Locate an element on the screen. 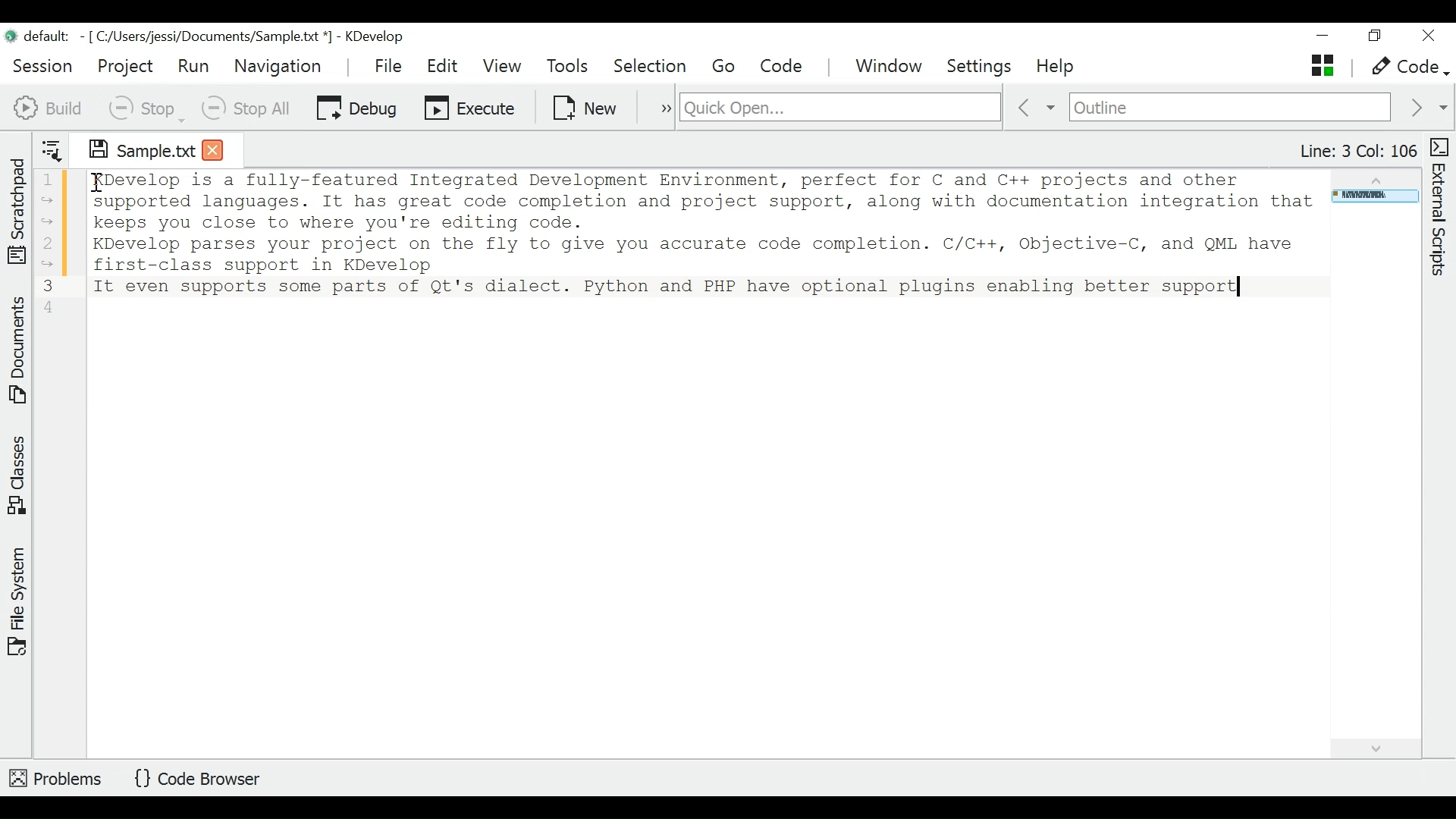  Tools is located at coordinates (572, 67).